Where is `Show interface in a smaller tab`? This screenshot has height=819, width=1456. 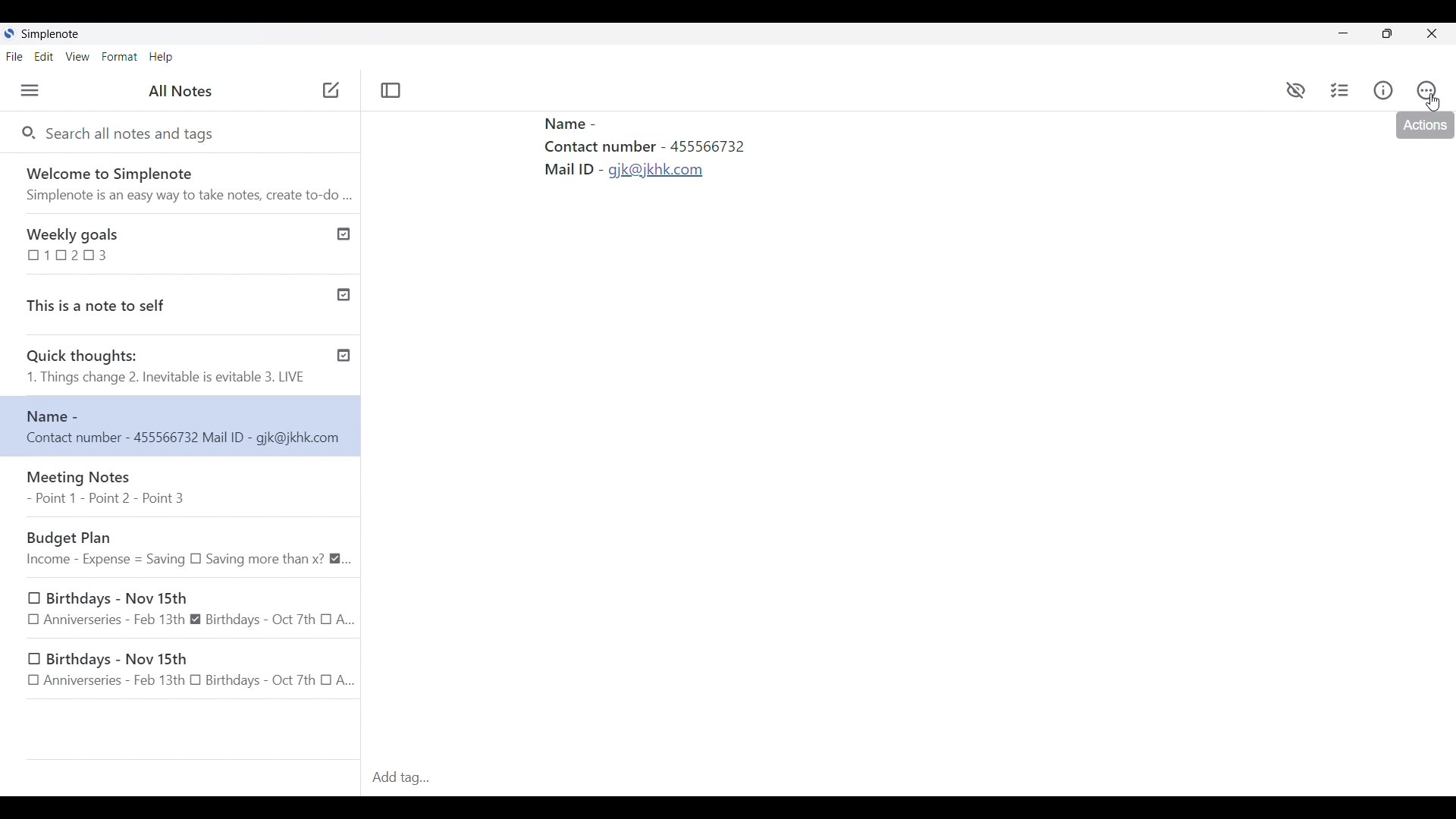
Show interface in a smaller tab is located at coordinates (1388, 33).